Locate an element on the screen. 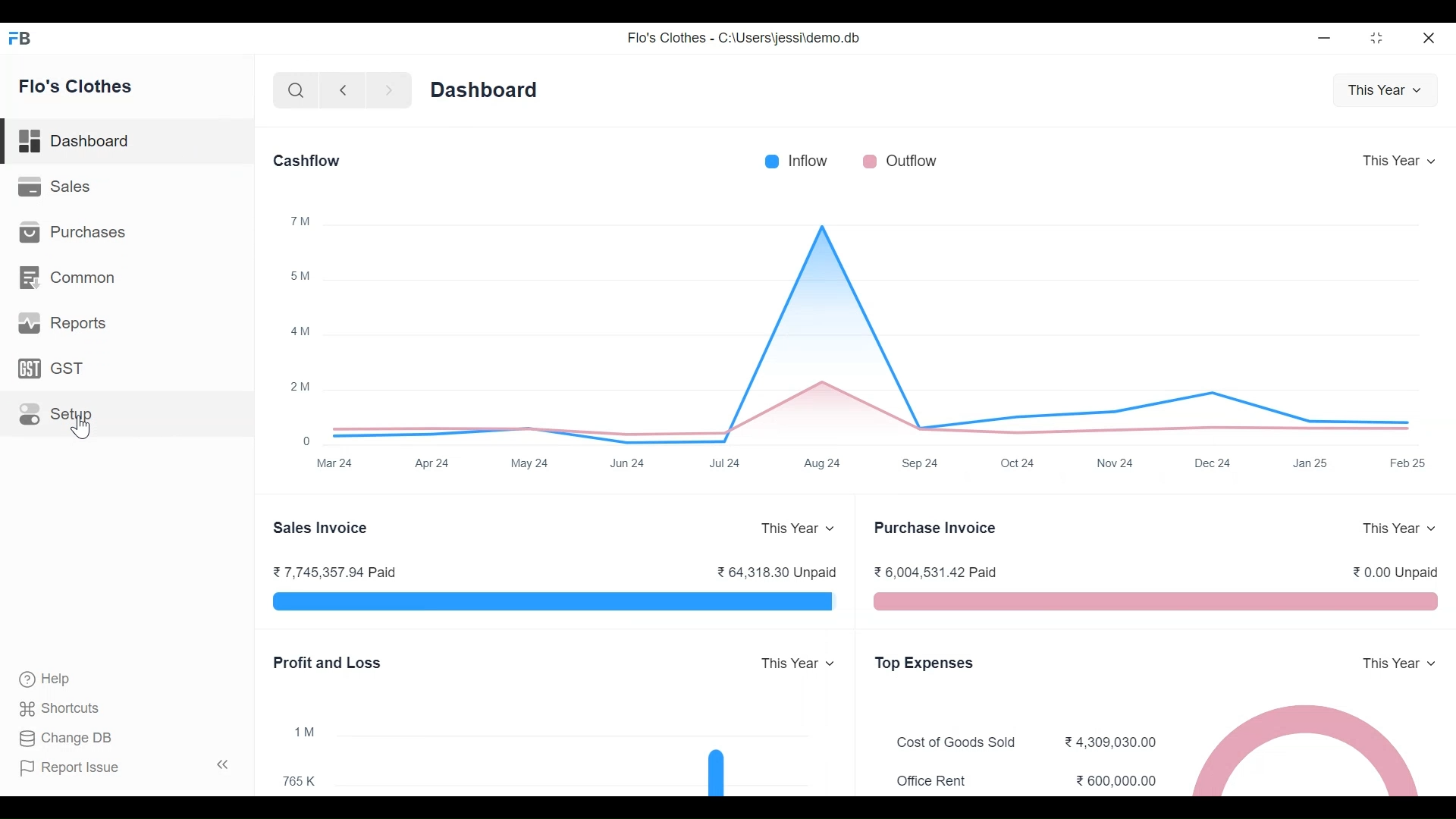 The height and width of the screenshot is (819, 1456). 0 is located at coordinates (308, 441).